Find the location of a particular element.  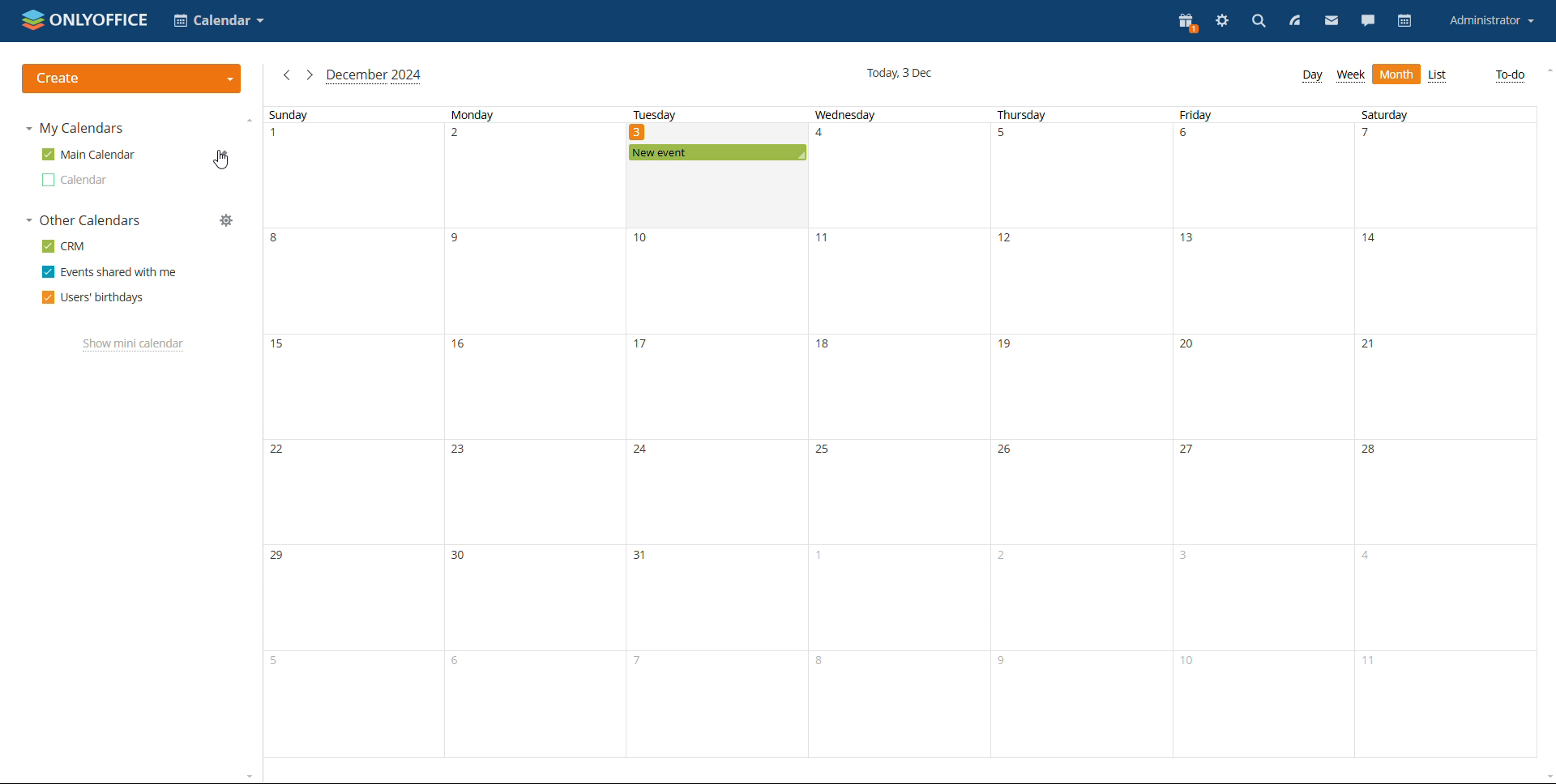

date is located at coordinates (898, 596).